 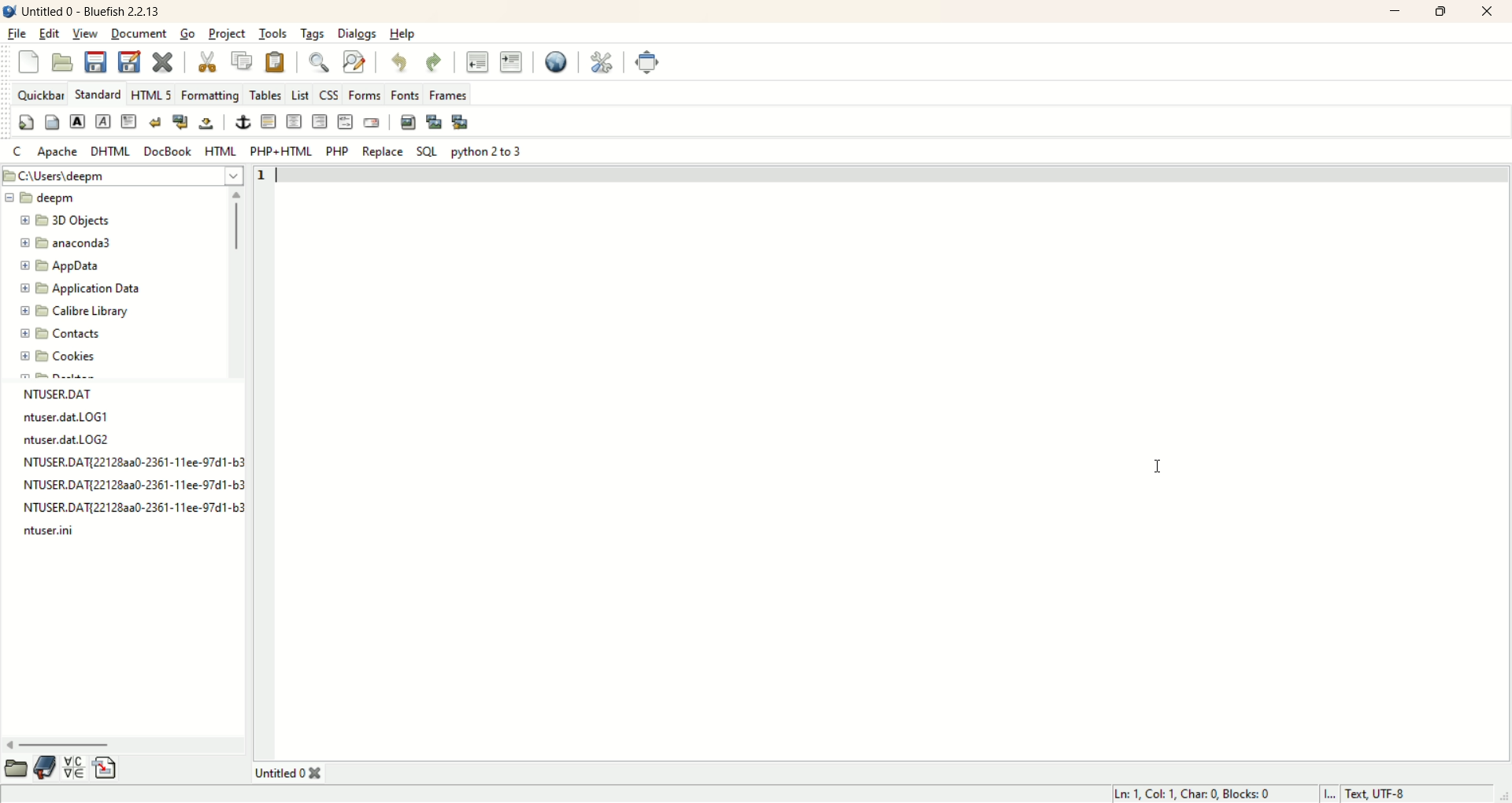 I want to click on close current file, so click(x=164, y=61).